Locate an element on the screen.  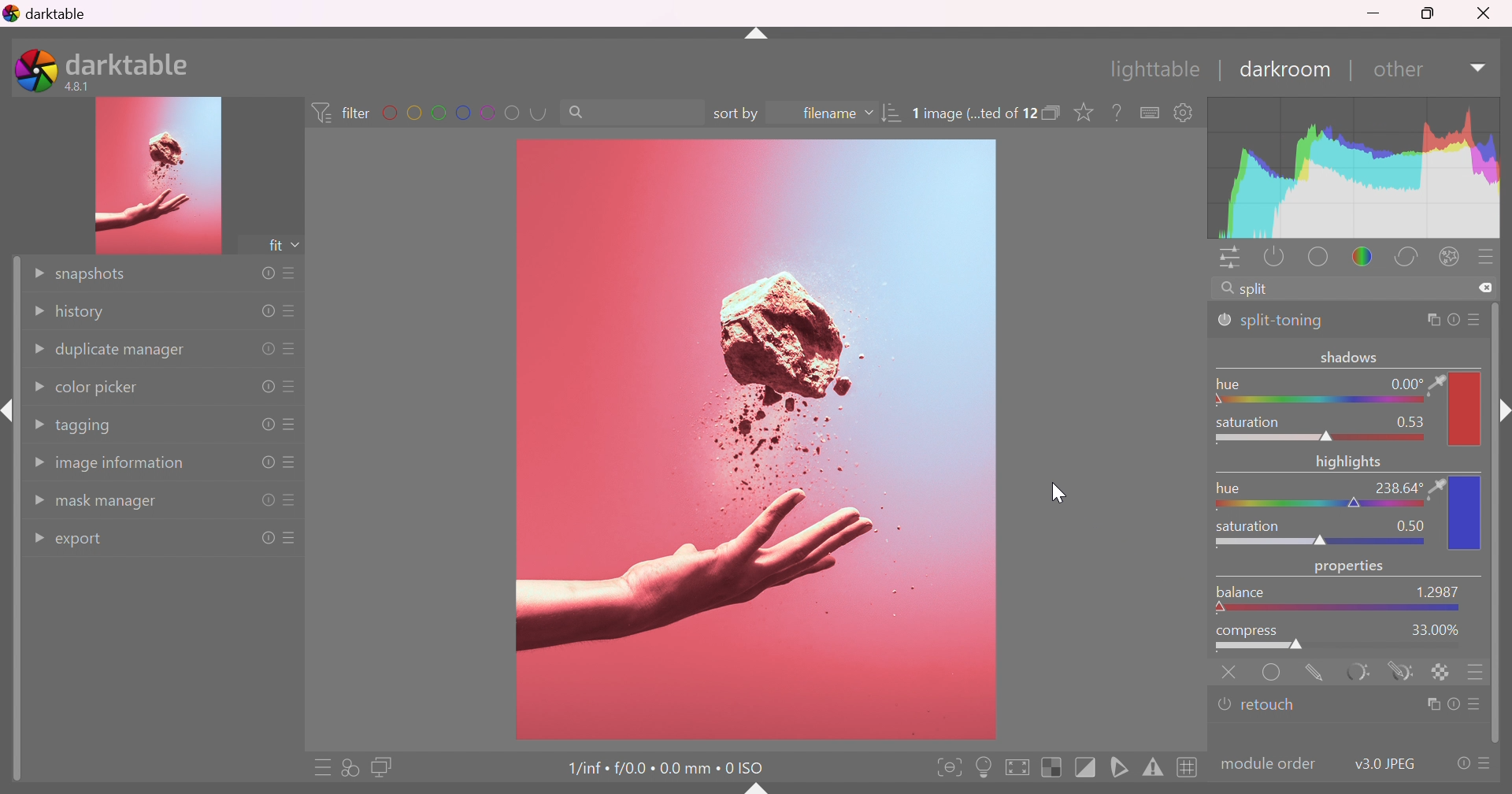
Drop Down is located at coordinates (41, 462).